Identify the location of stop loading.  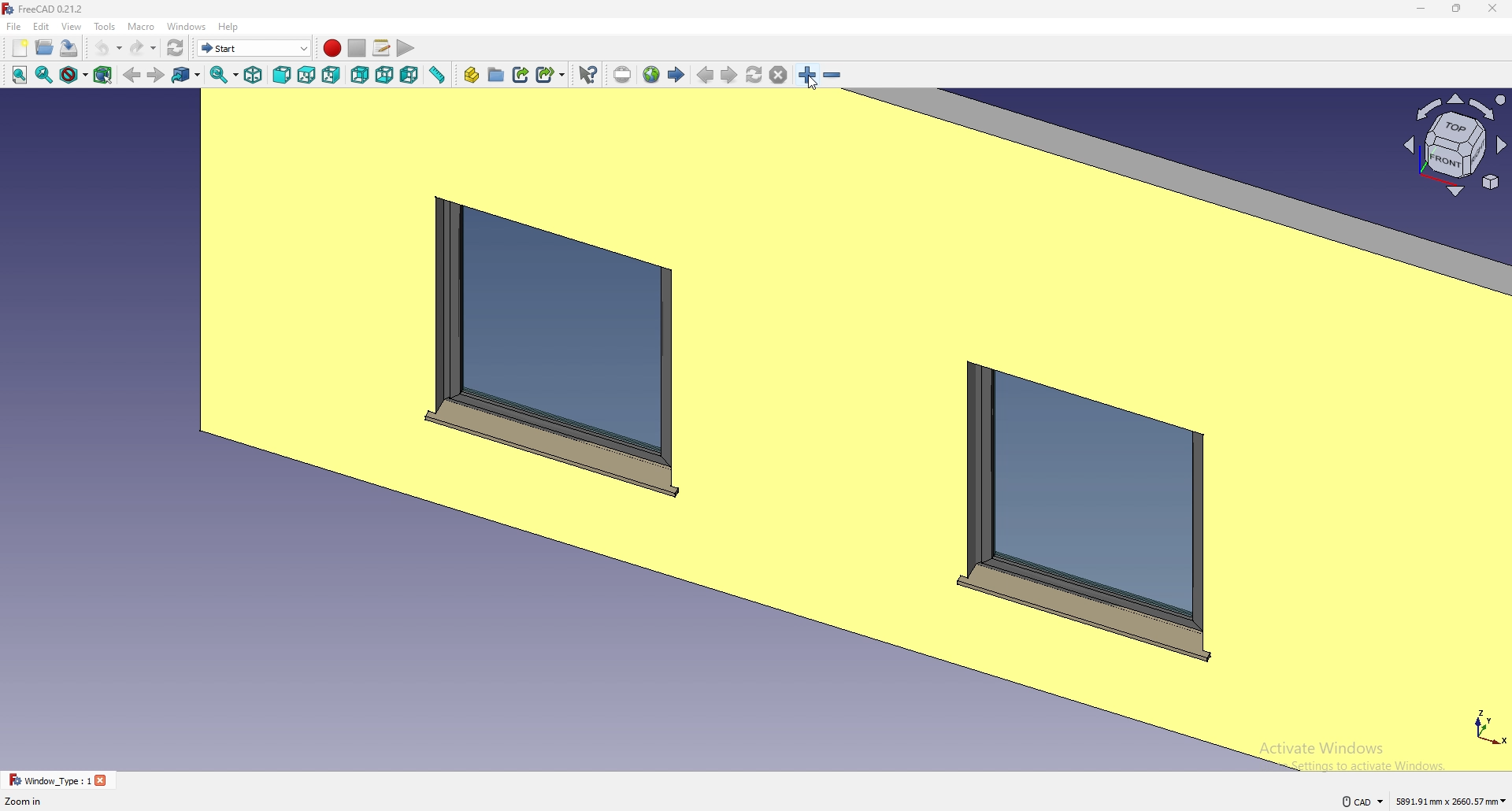
(779, 76).